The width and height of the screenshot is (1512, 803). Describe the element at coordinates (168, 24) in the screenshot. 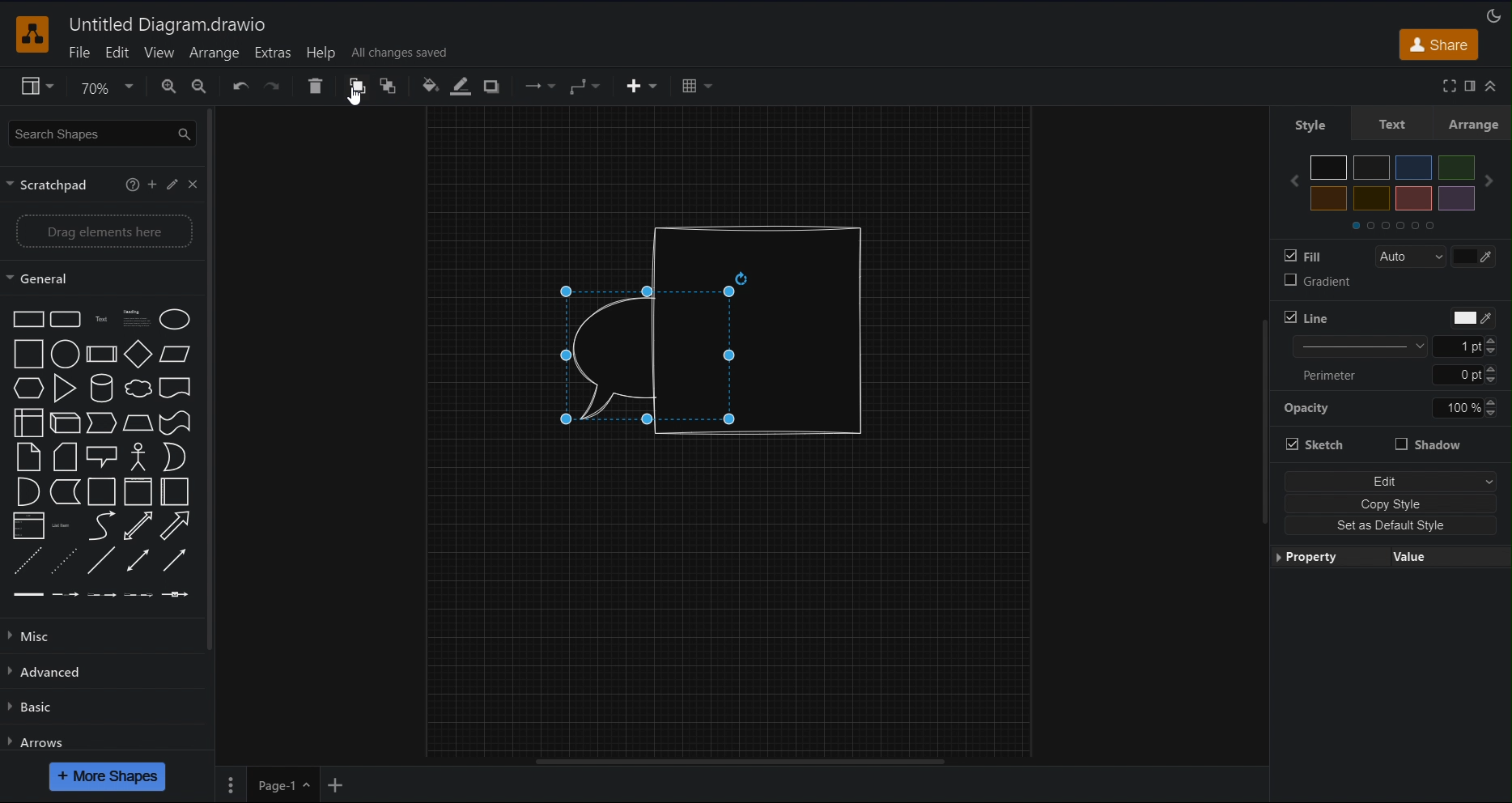

I see `Untitled Diagram.drawio` at that location.